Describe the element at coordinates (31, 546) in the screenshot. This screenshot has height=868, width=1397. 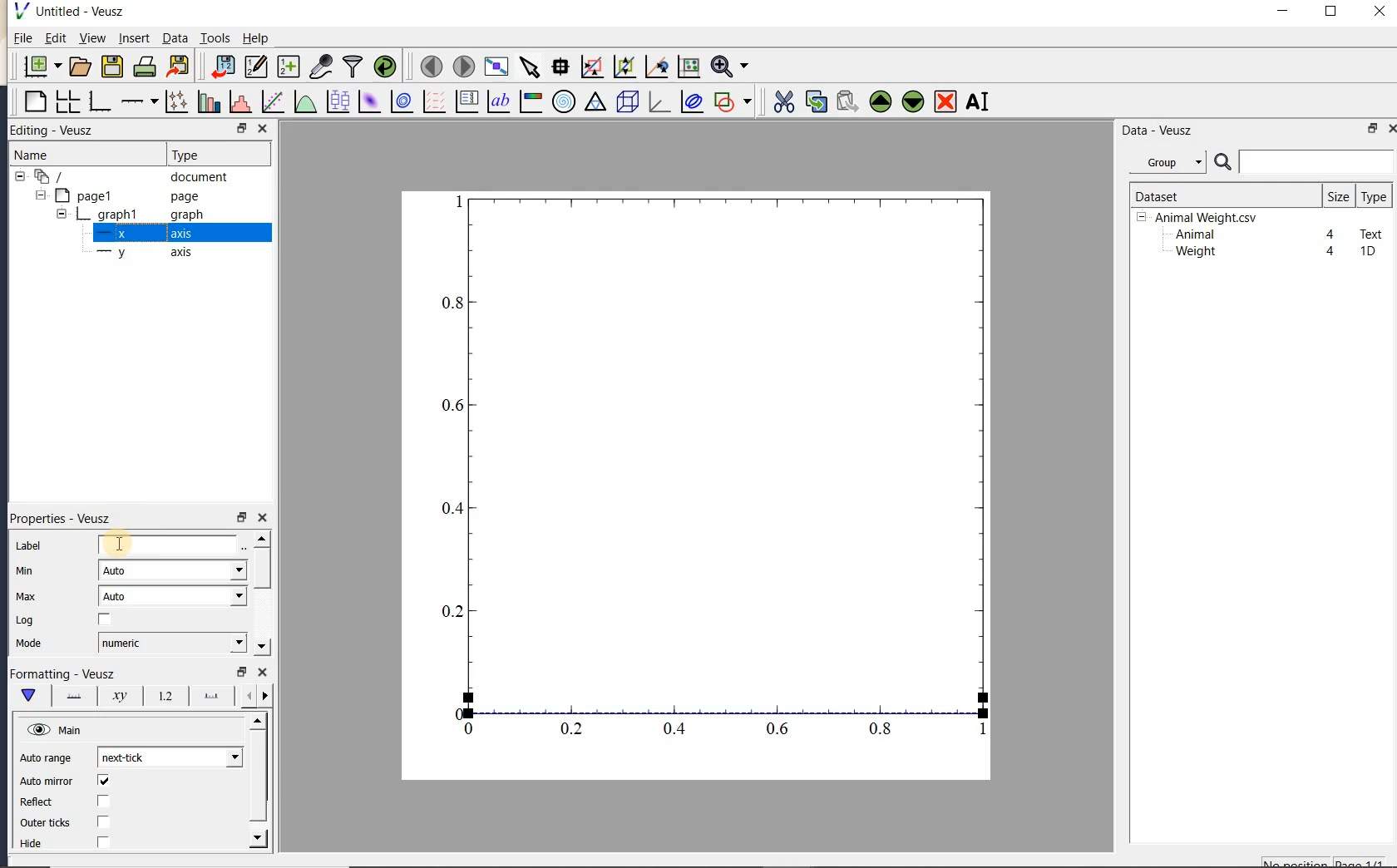
I see `Label` at that location.